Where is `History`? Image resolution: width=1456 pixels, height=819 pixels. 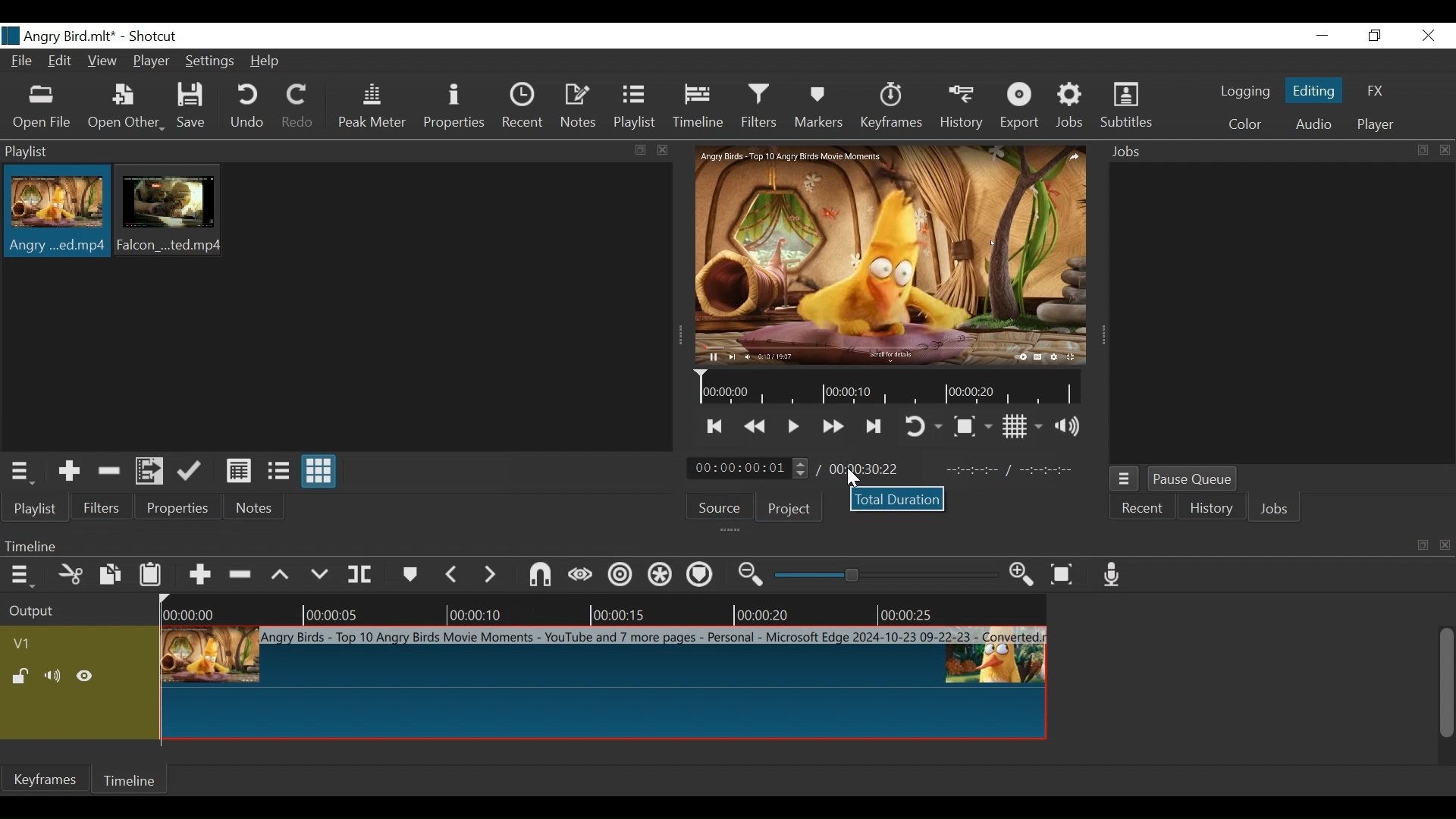 History is located at coordinates (965, 107).